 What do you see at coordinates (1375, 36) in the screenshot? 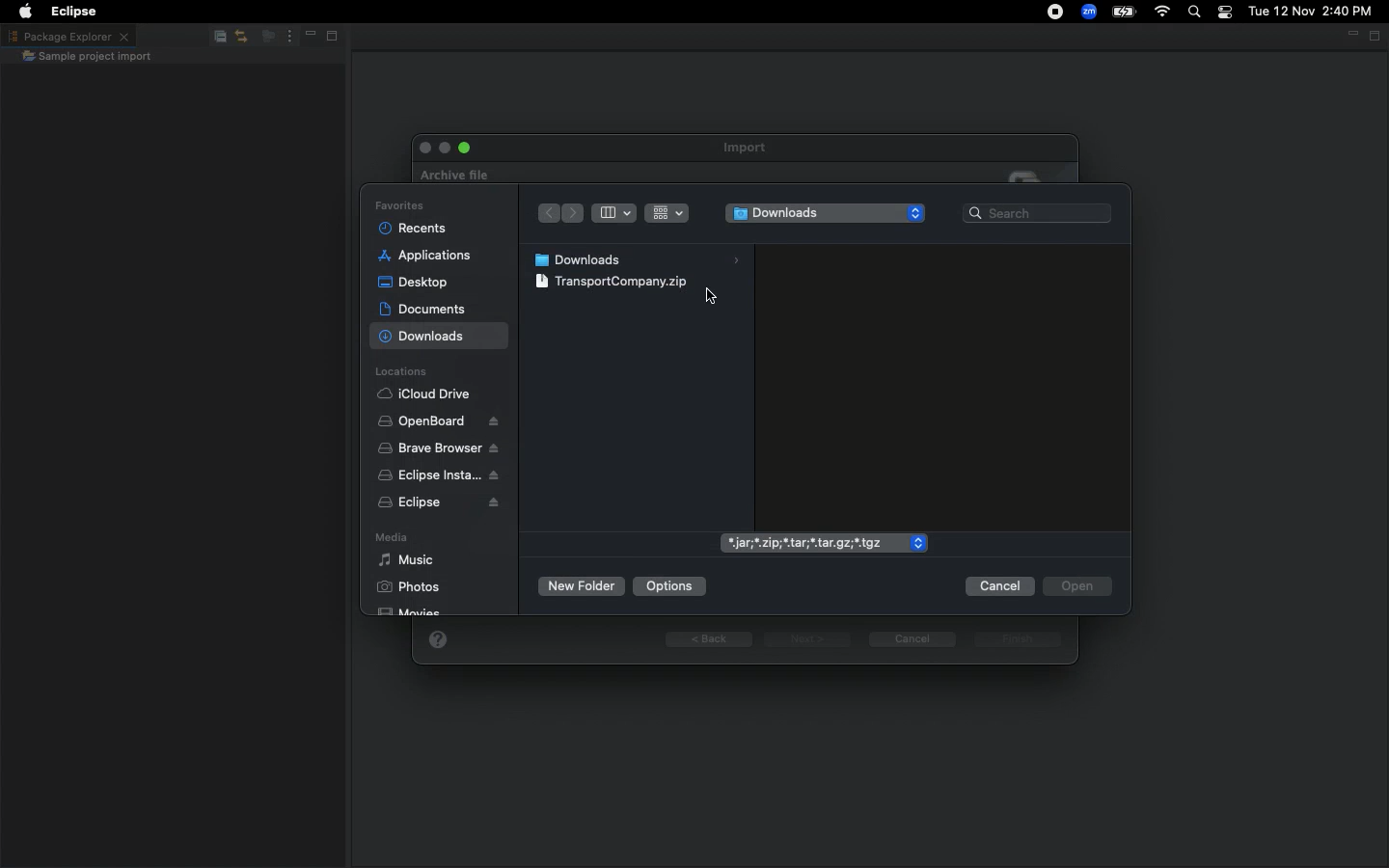
I see `Maximize` at bounding box center [1375, 36].